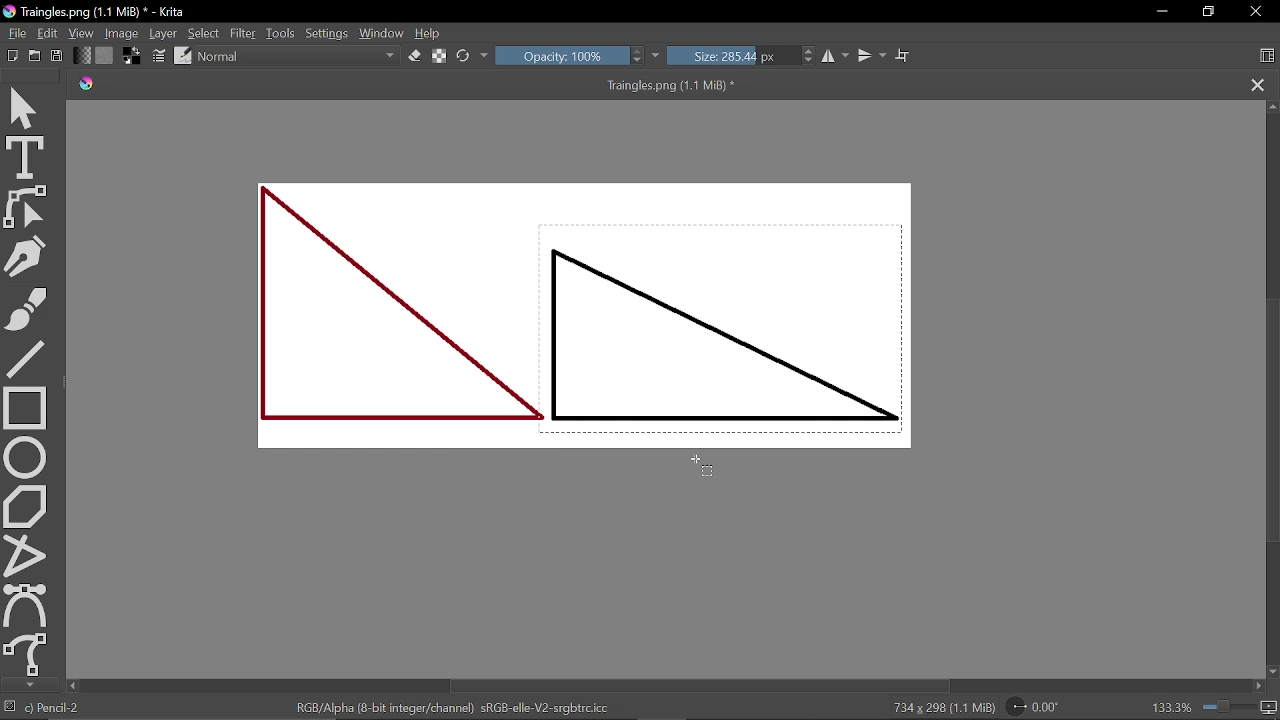 This screenshot has height=720, width=1280. What do you see at coordinates (35, 55) in the screenshot?
I see `Create new file` at bounding box center [35, 55].